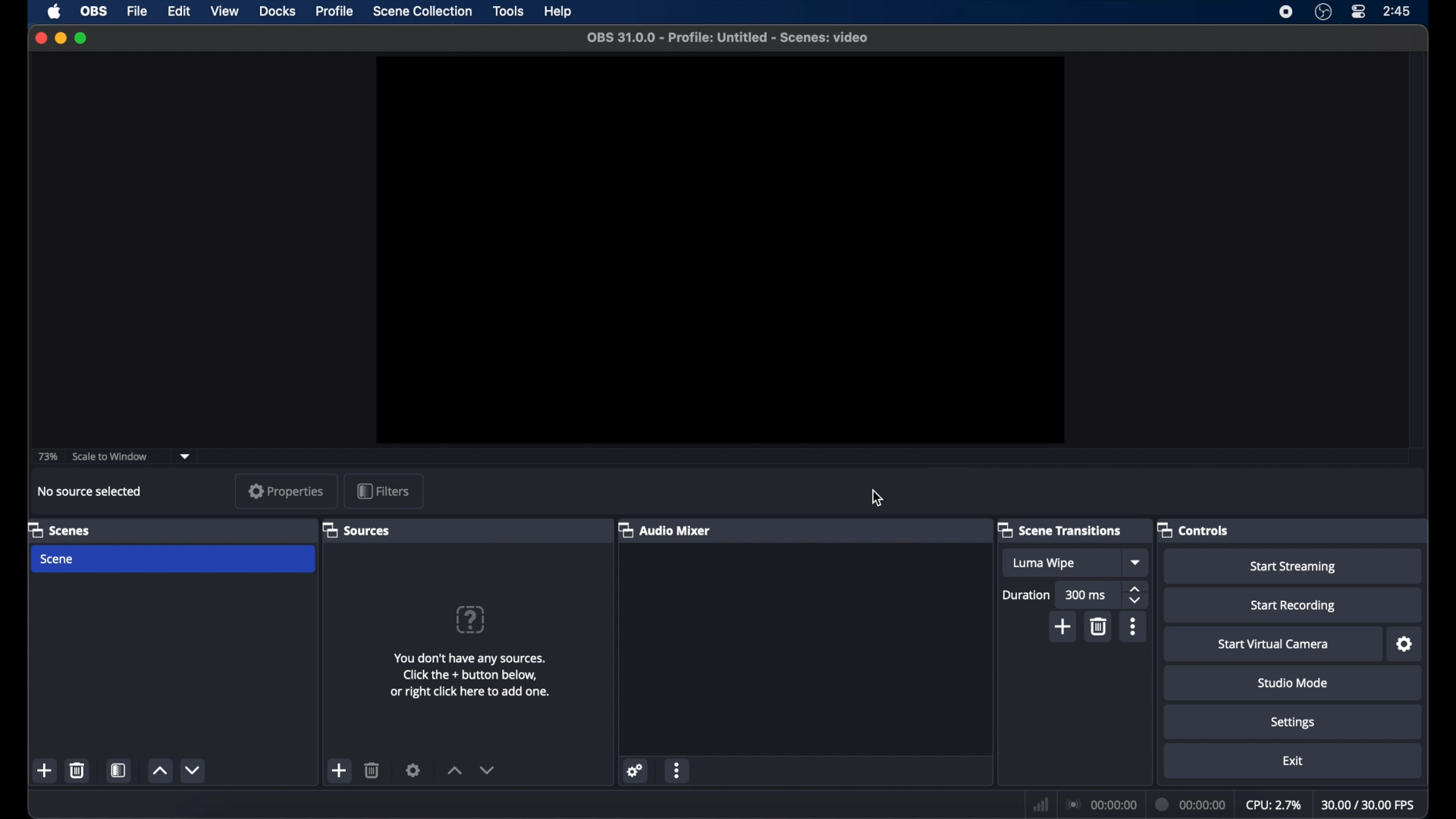 The image size is (1456, 819). Describe the element at coordinates (422, 11) in the screenshot. I see `scene collection` at that location.